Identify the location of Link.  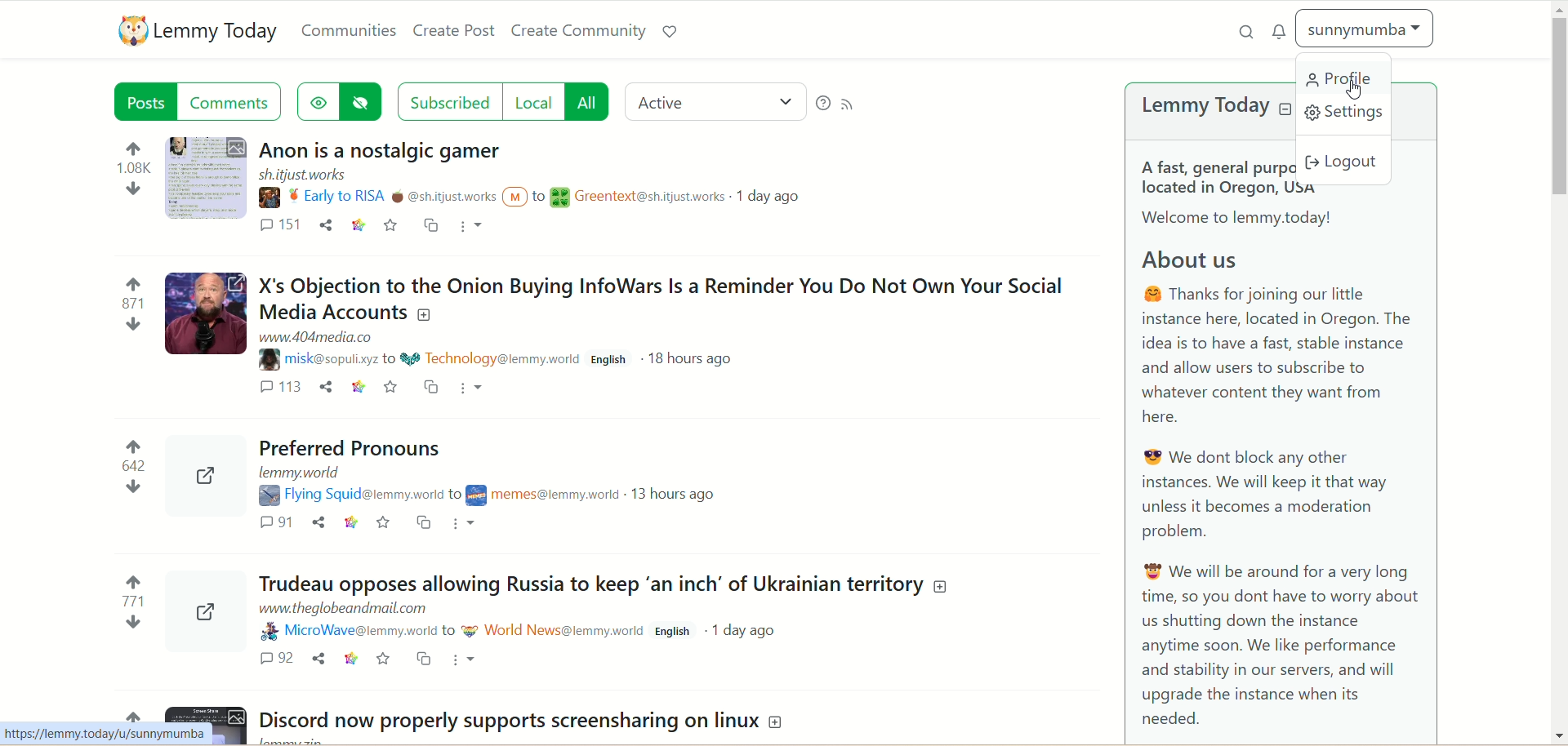
(354, 524).